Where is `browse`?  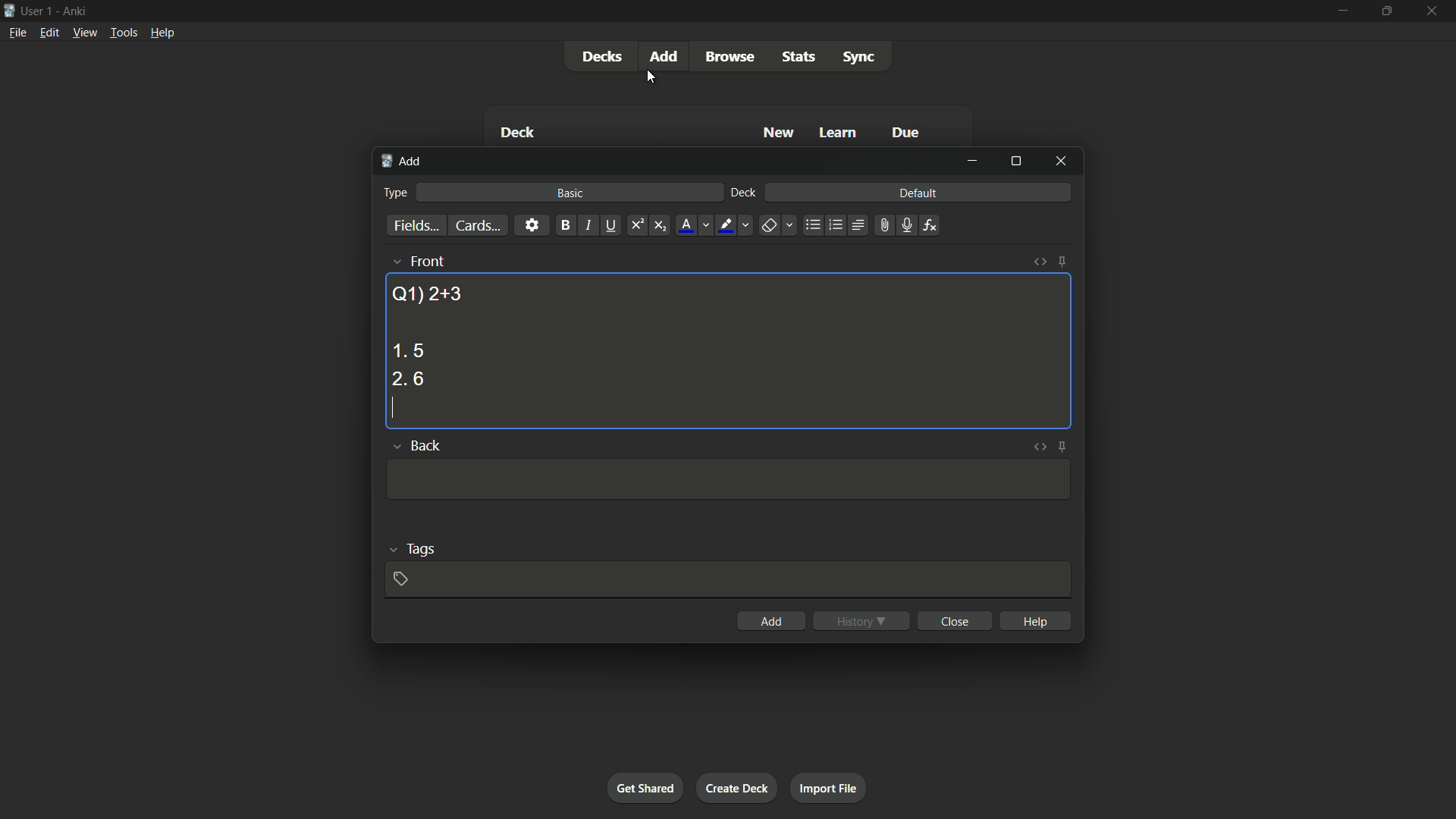
browse is located at coordinates (730, 57).